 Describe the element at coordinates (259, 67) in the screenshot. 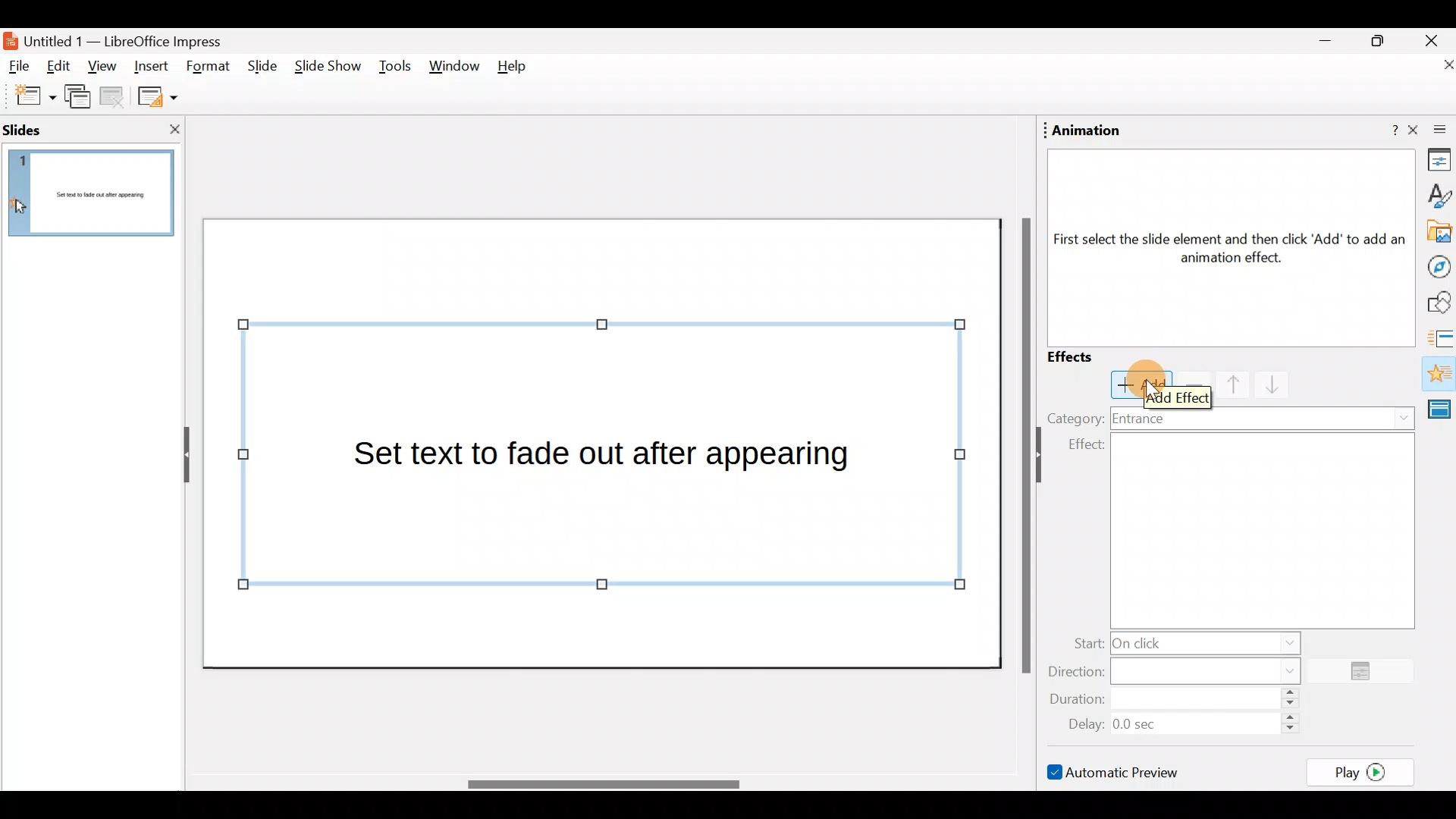

I see `Slide` at that location.